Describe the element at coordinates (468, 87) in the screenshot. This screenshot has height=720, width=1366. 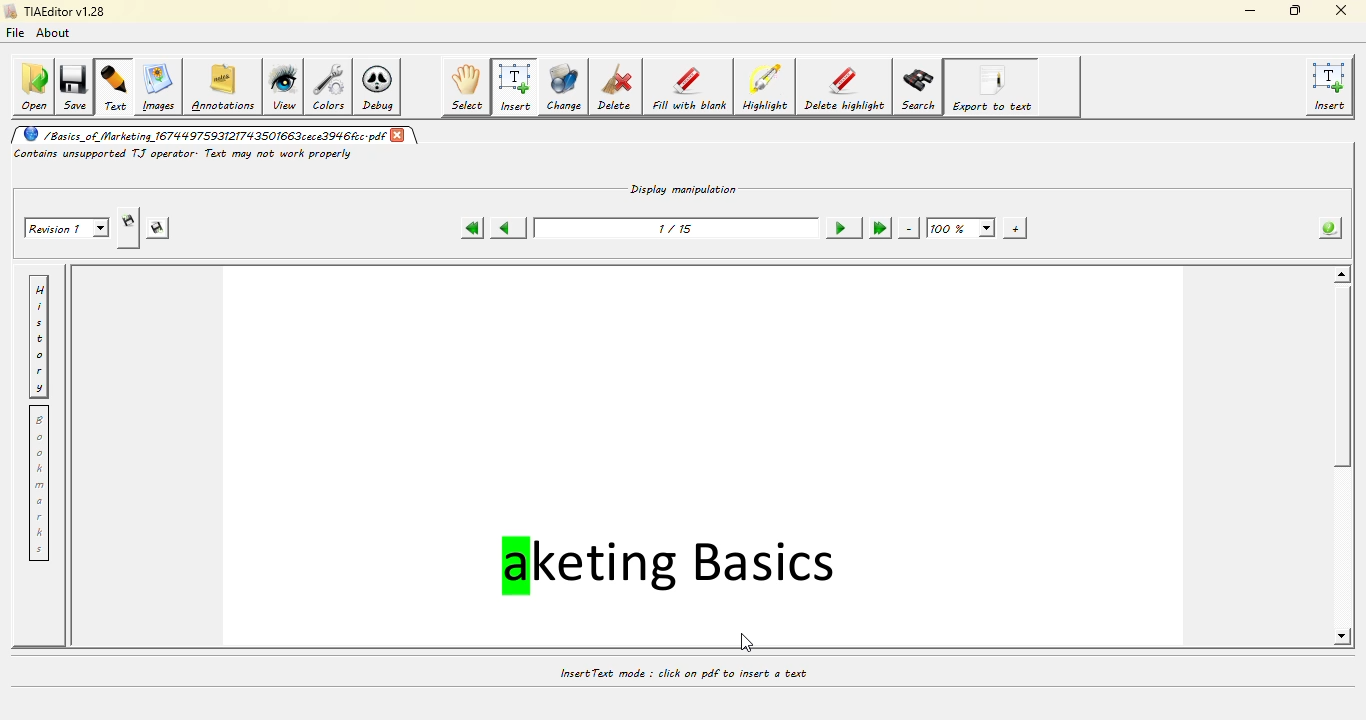
I see `select` at that location.